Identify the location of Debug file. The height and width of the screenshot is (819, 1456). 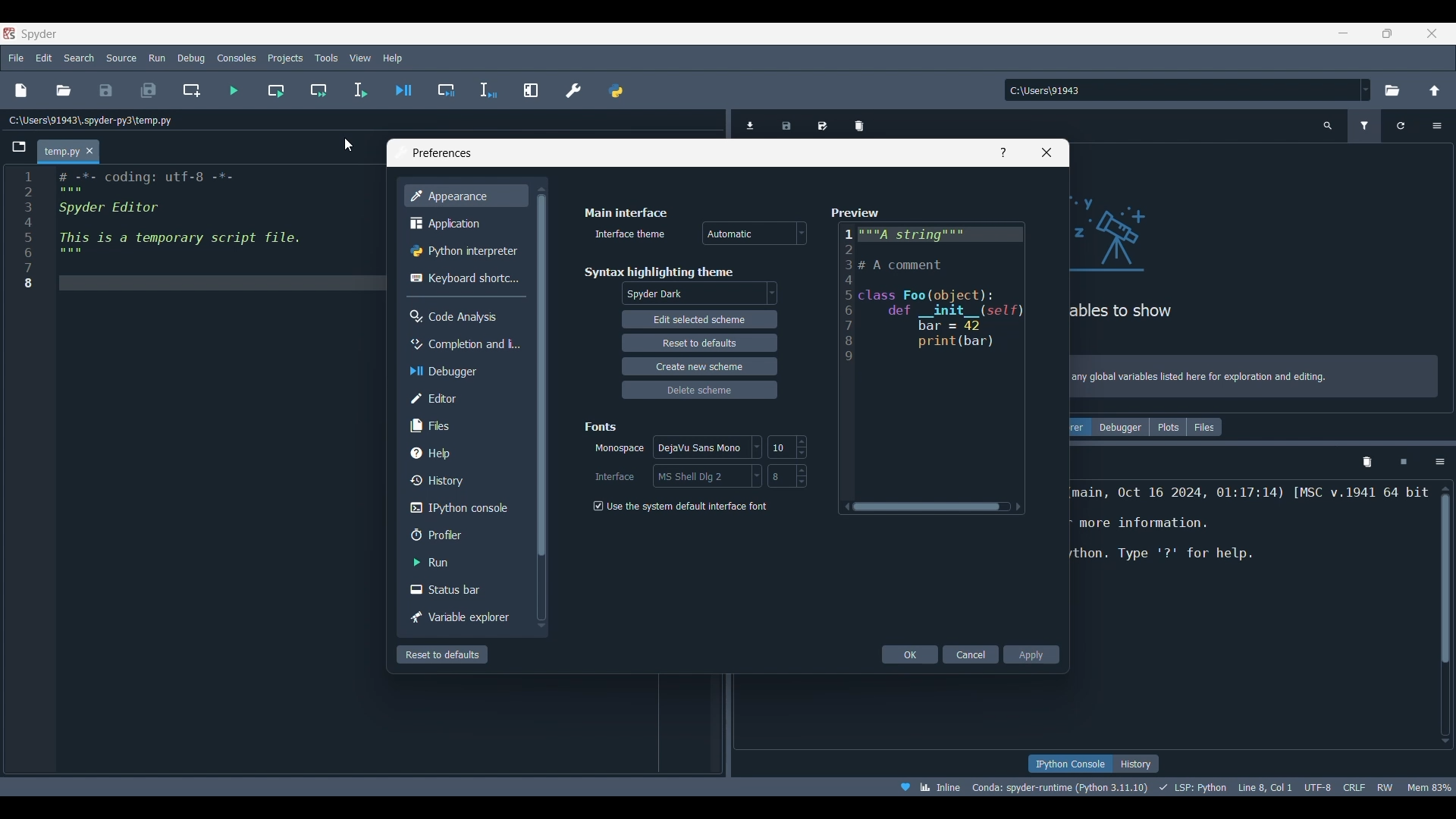
(403, 90).